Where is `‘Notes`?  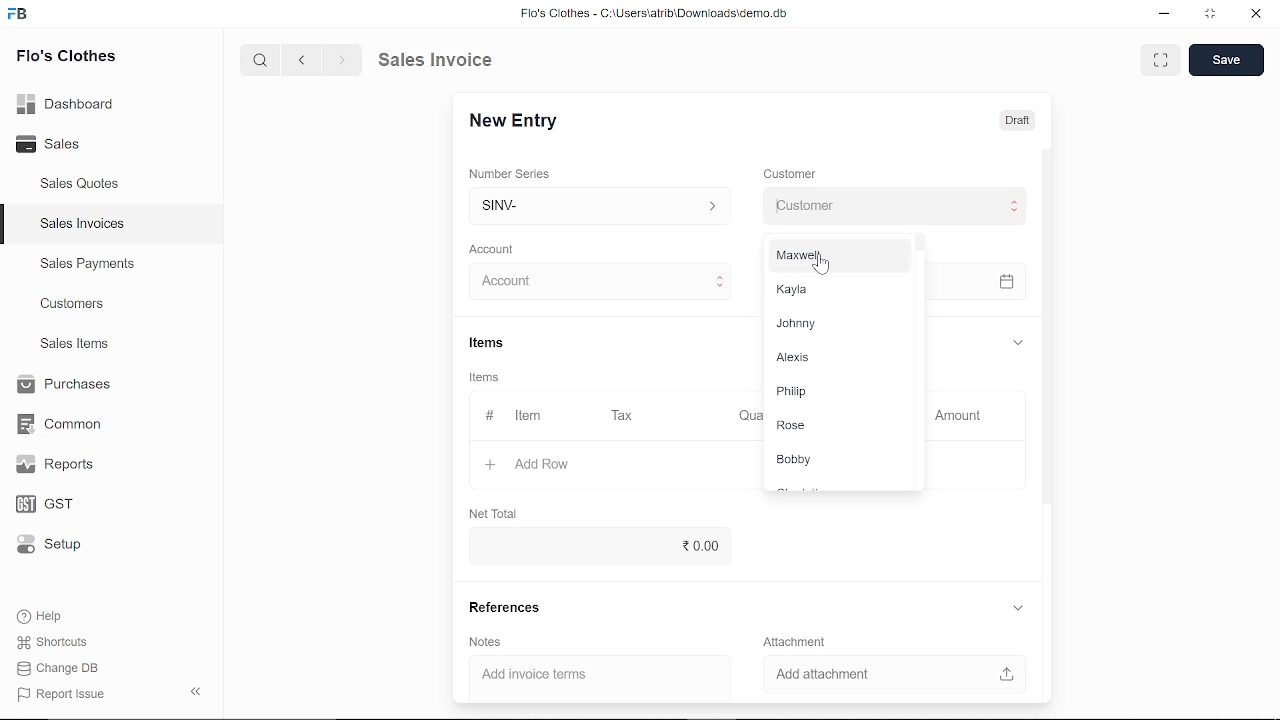
‘Notes is located at coordinates (489, 642).